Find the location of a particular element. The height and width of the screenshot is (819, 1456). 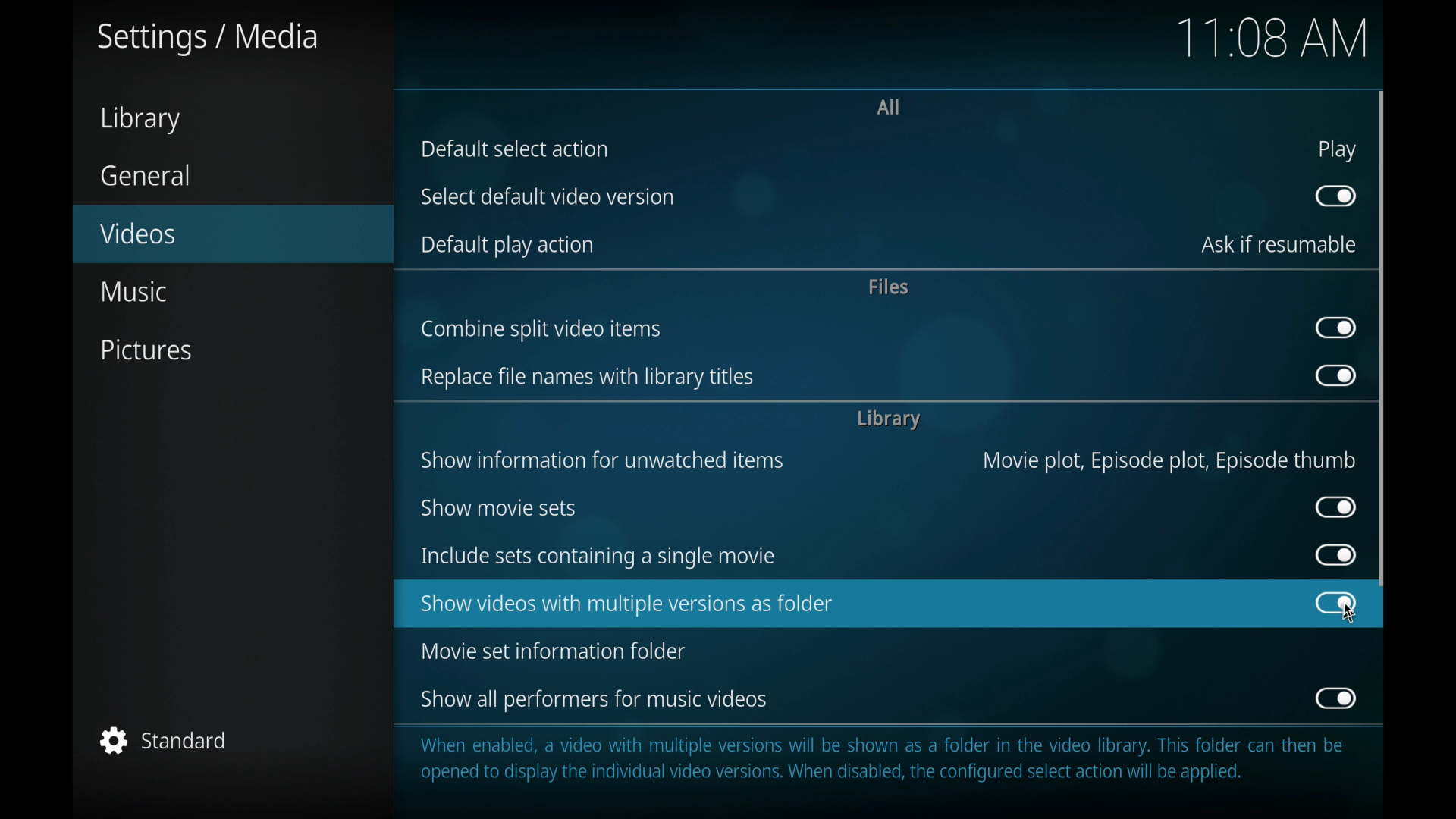

general is located at coordinates (146, 175).